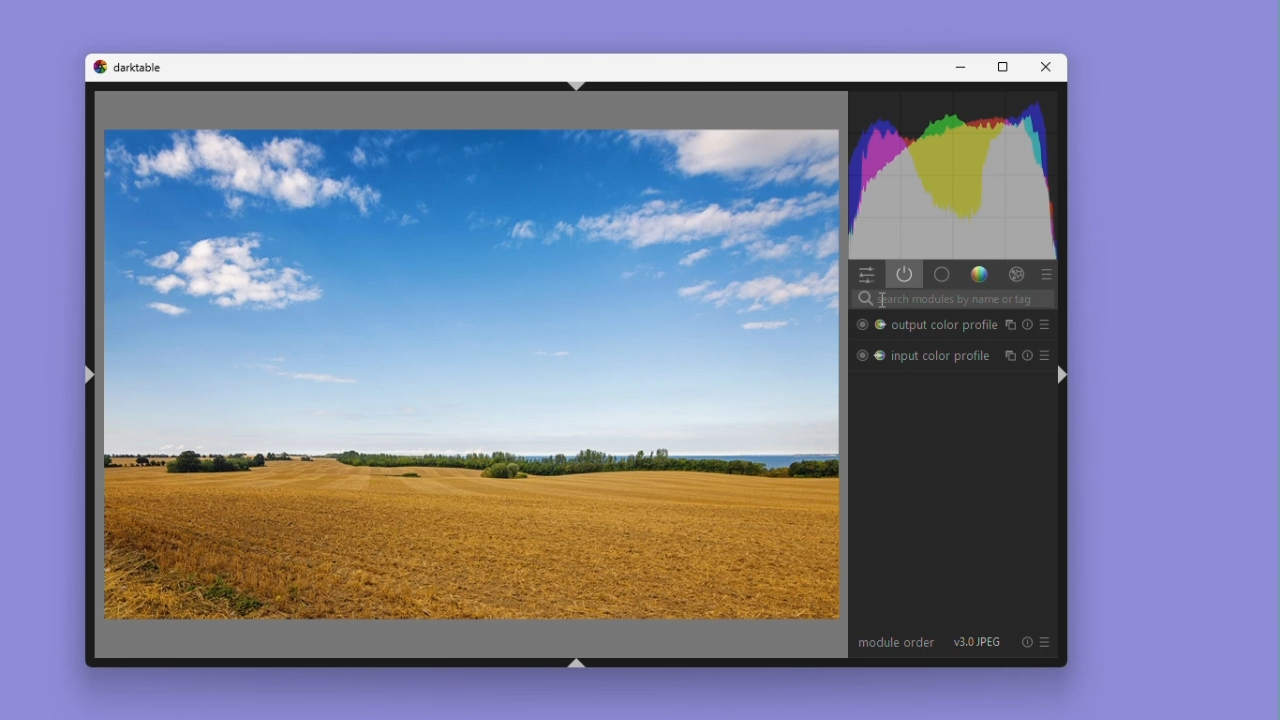 This screenshot has width=1280, height=720. I want to click on shift+ctrl+t, so click(579, 85).